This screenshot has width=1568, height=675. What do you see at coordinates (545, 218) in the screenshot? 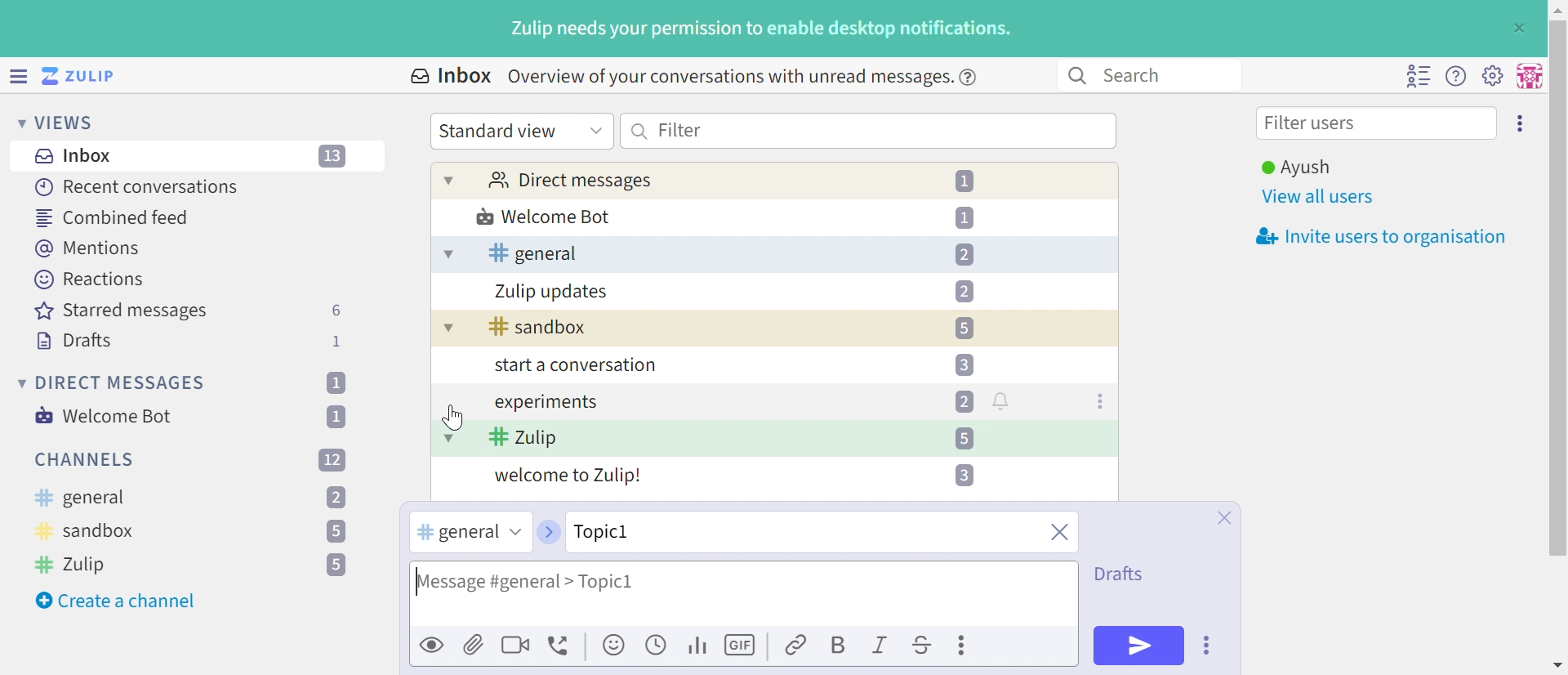
I see `Welcome Bot` at bounding box center [545, 218].